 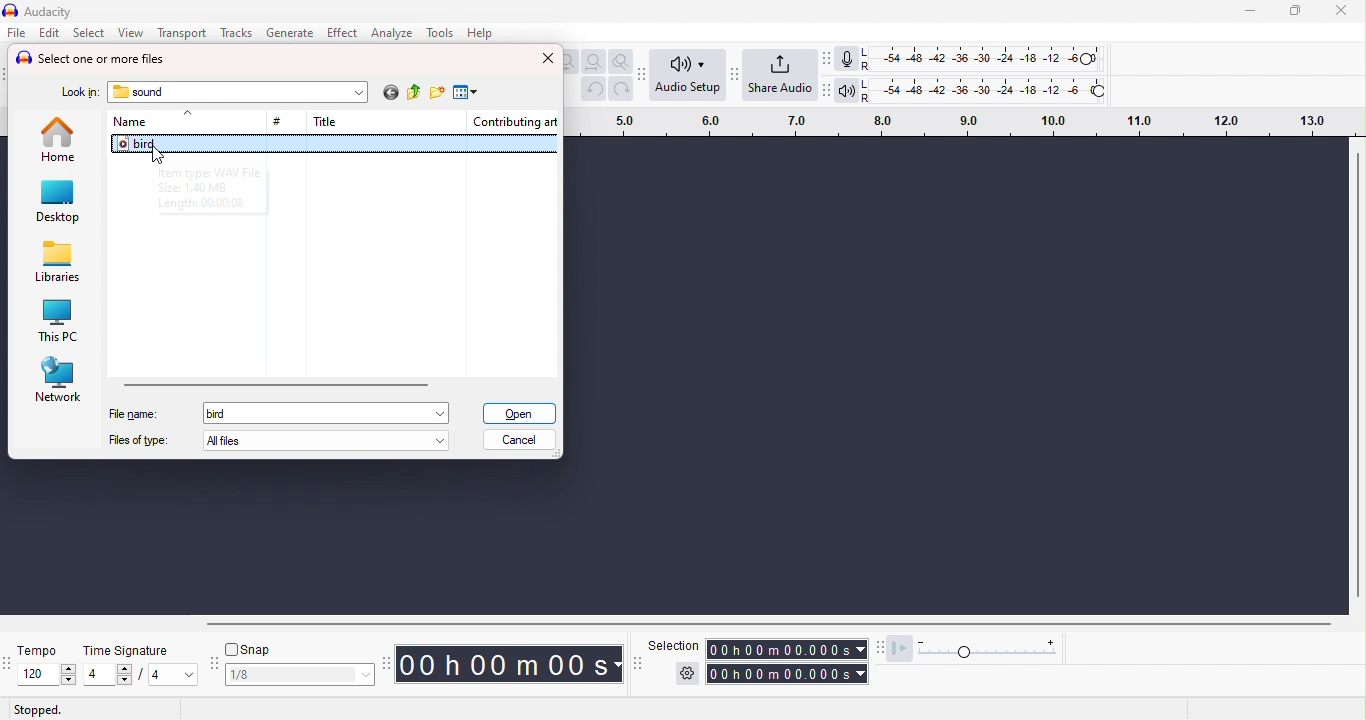 I want to click on select one more more files, so click(x=91, y=59).